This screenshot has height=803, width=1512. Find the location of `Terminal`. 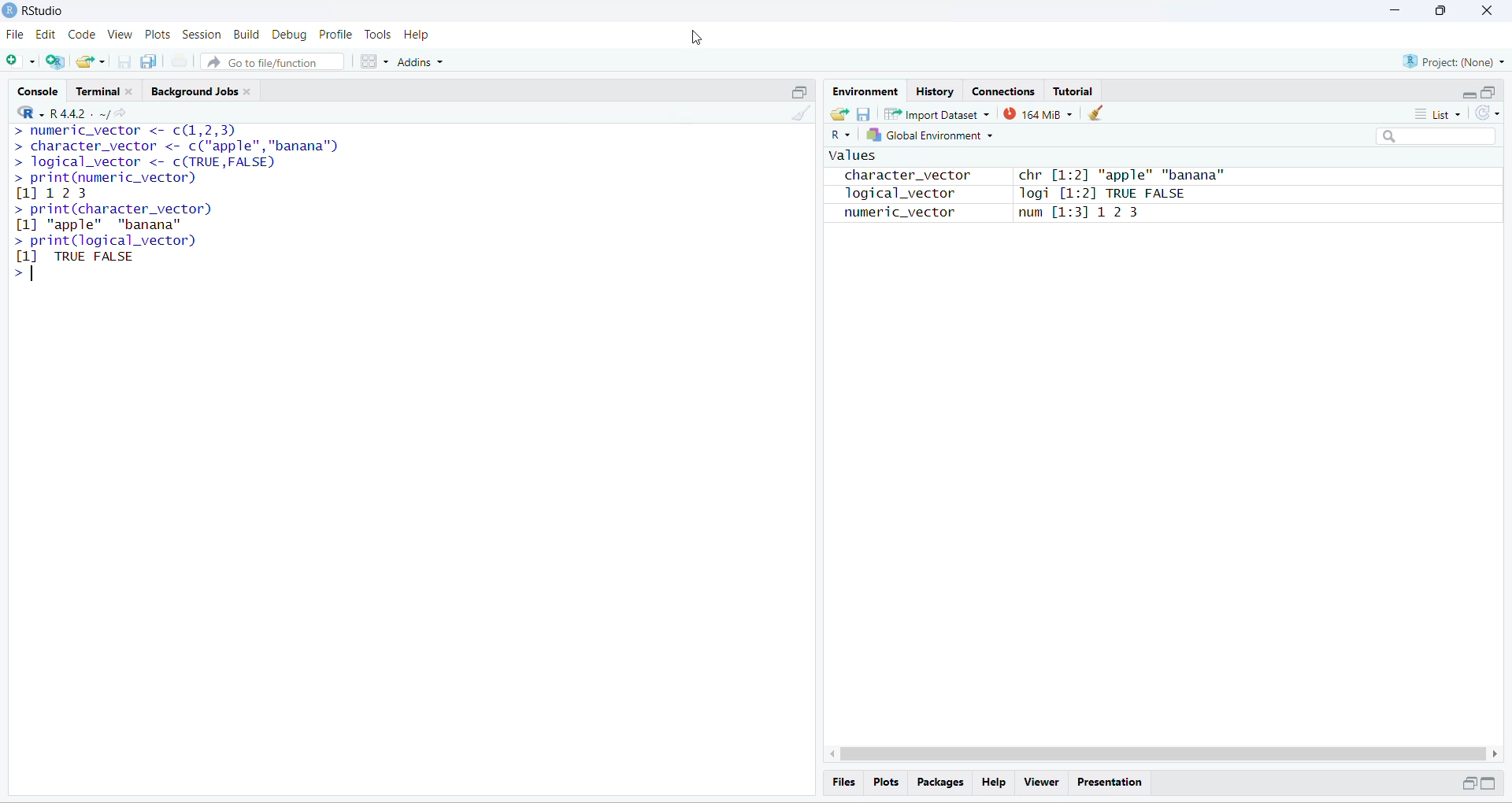

Terminal is located at coordinates (107, 88).